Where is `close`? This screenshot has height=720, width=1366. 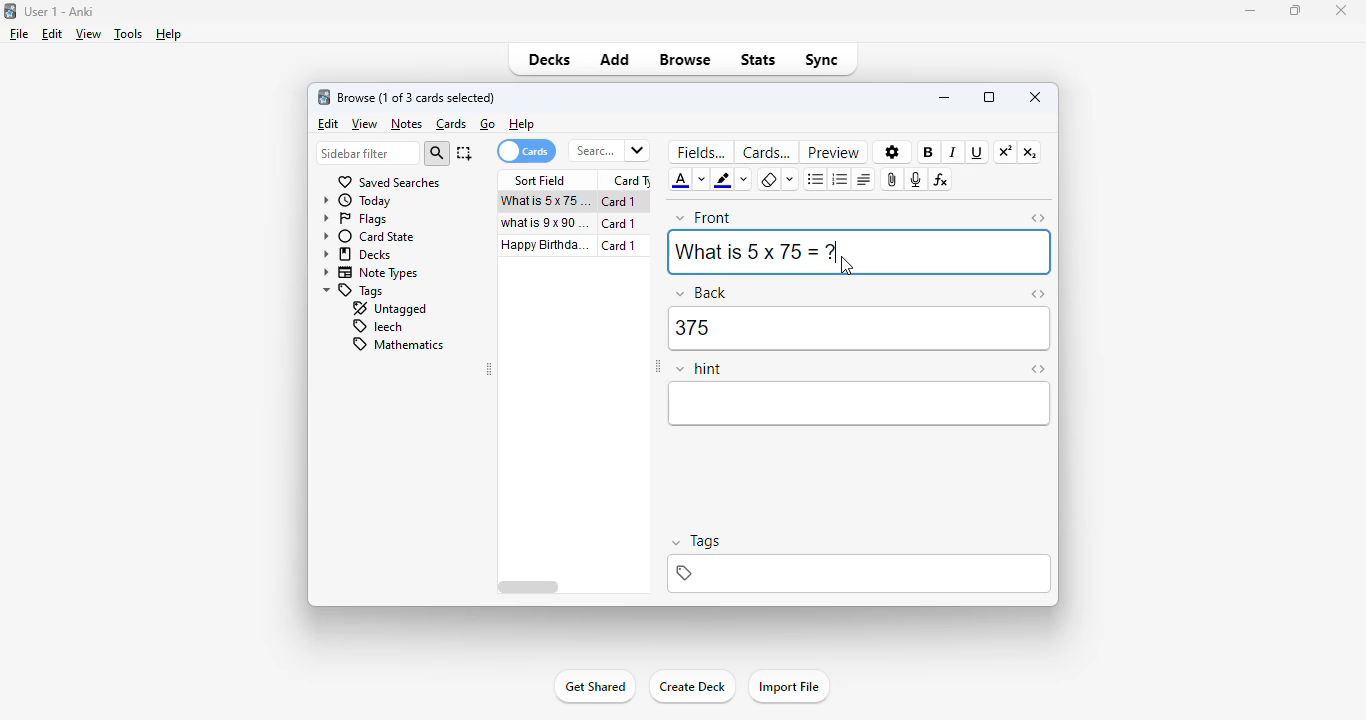
close is located at coordinates (1035, 98).